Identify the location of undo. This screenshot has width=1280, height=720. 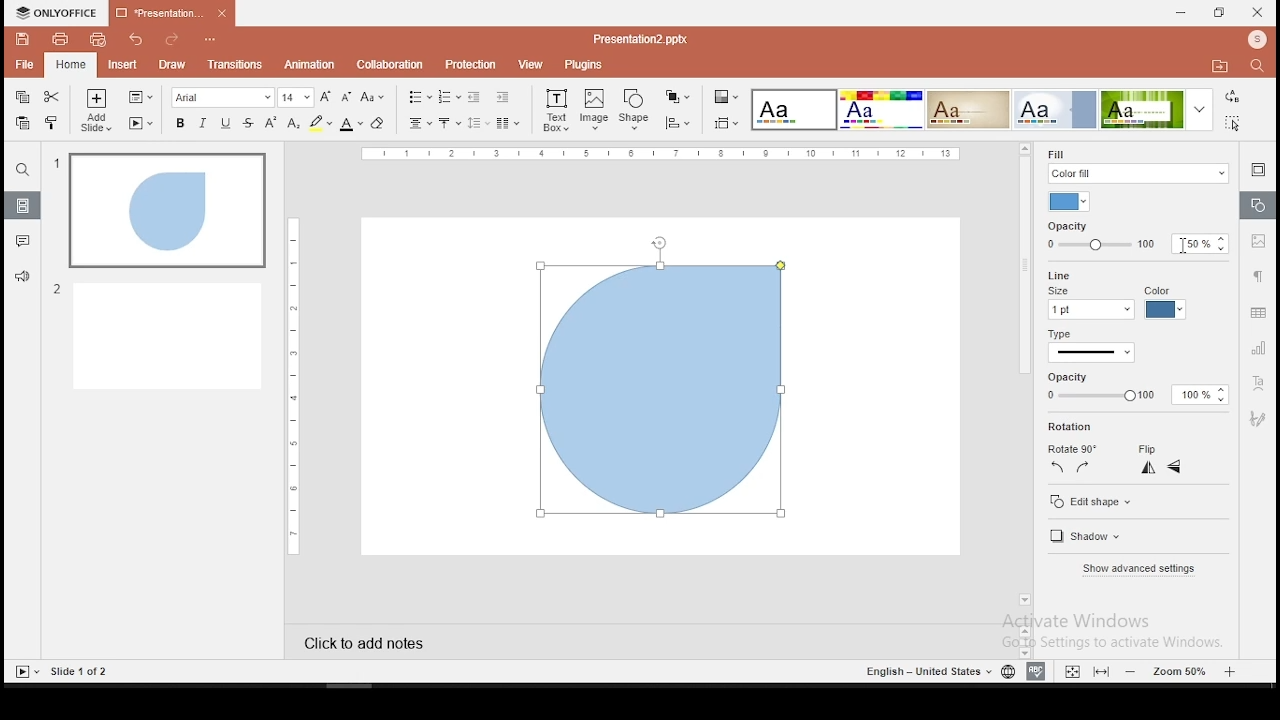
(134, 39).